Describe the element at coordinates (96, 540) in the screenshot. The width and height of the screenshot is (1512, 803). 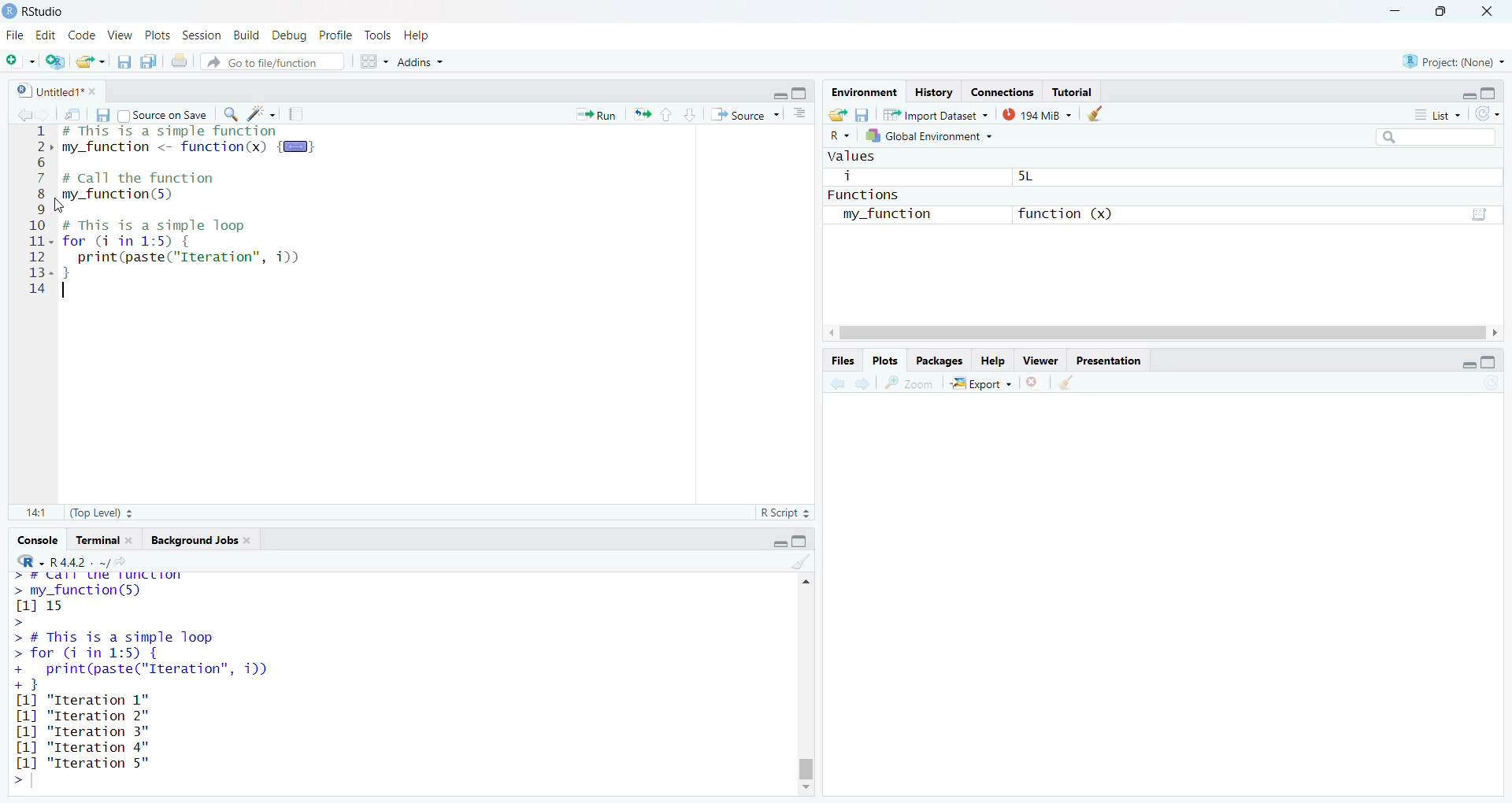
I see `terminal` at that location.